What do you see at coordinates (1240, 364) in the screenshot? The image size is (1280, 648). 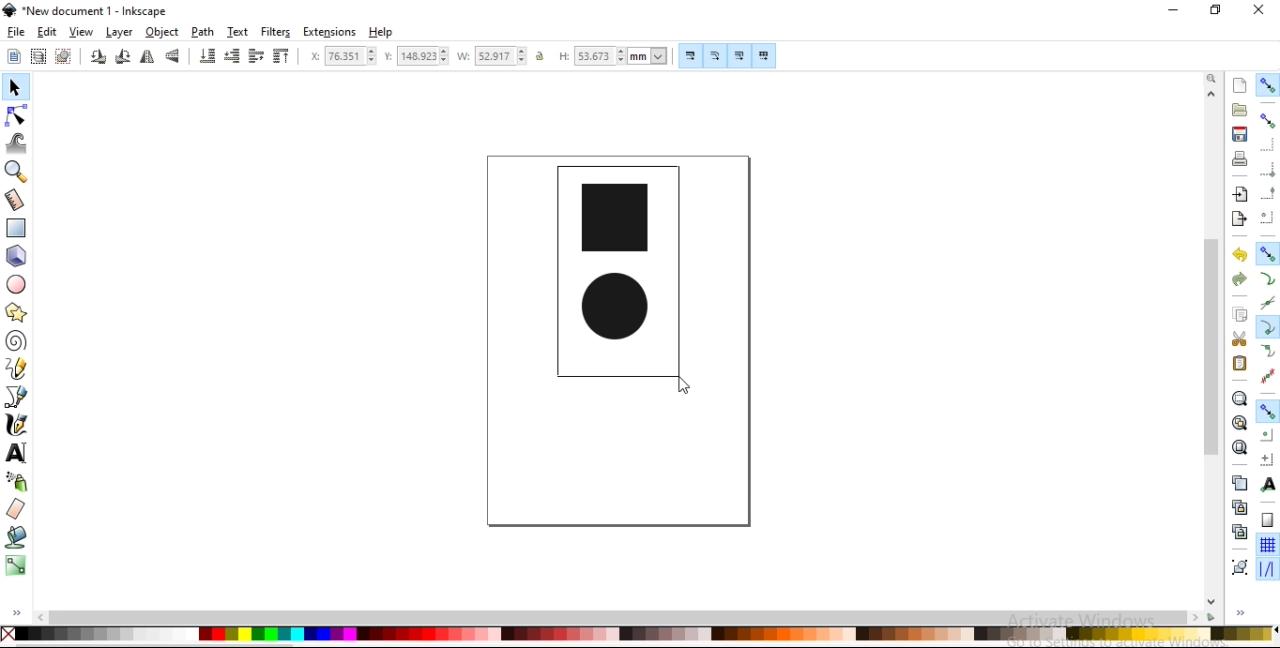 I see `paste` at bounding box center [1240, 364].